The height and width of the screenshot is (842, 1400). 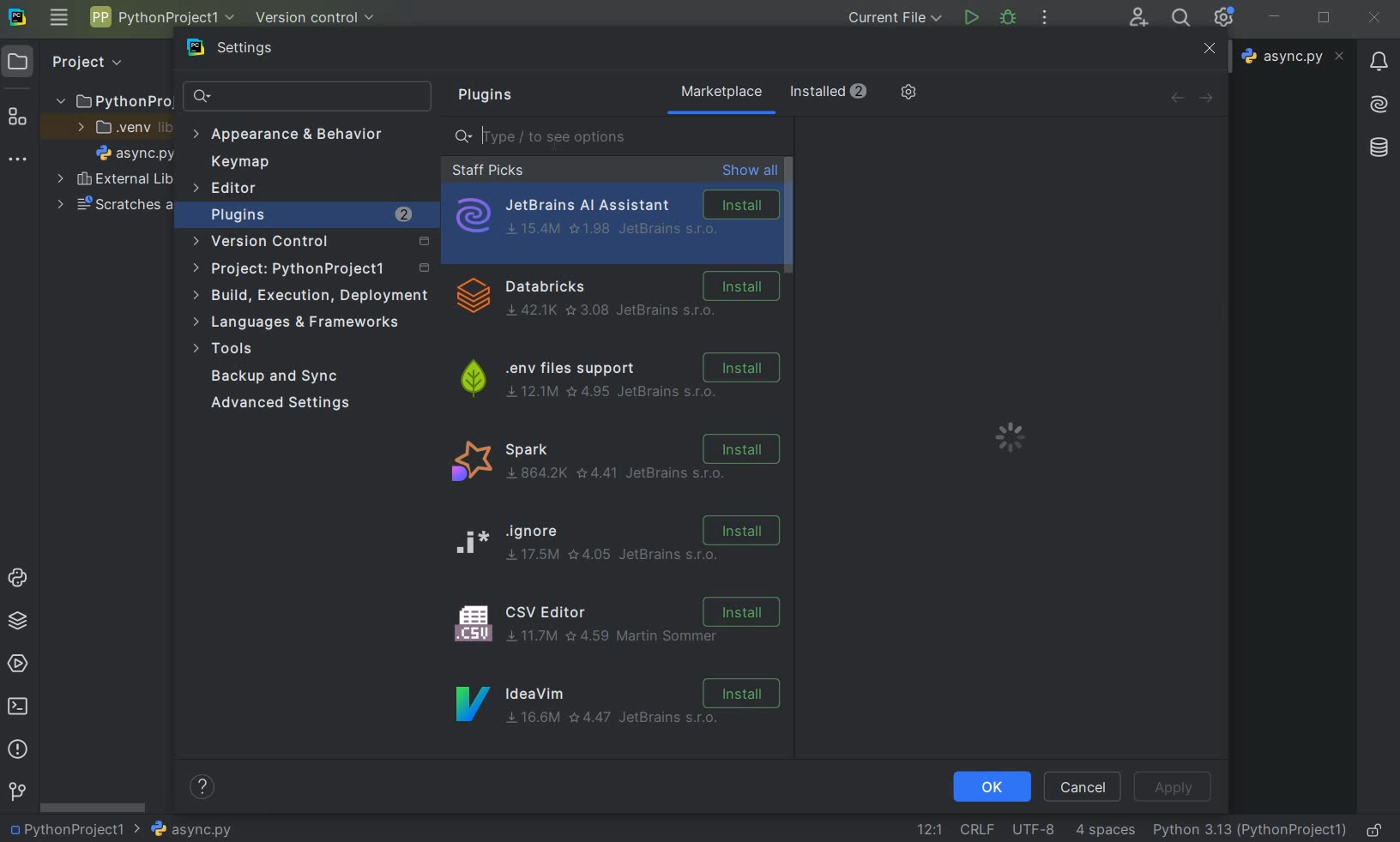 What do you see at coordinates (1325, 19) in the screenshot?
I see `restore down` at bounding box center [1325, 19].